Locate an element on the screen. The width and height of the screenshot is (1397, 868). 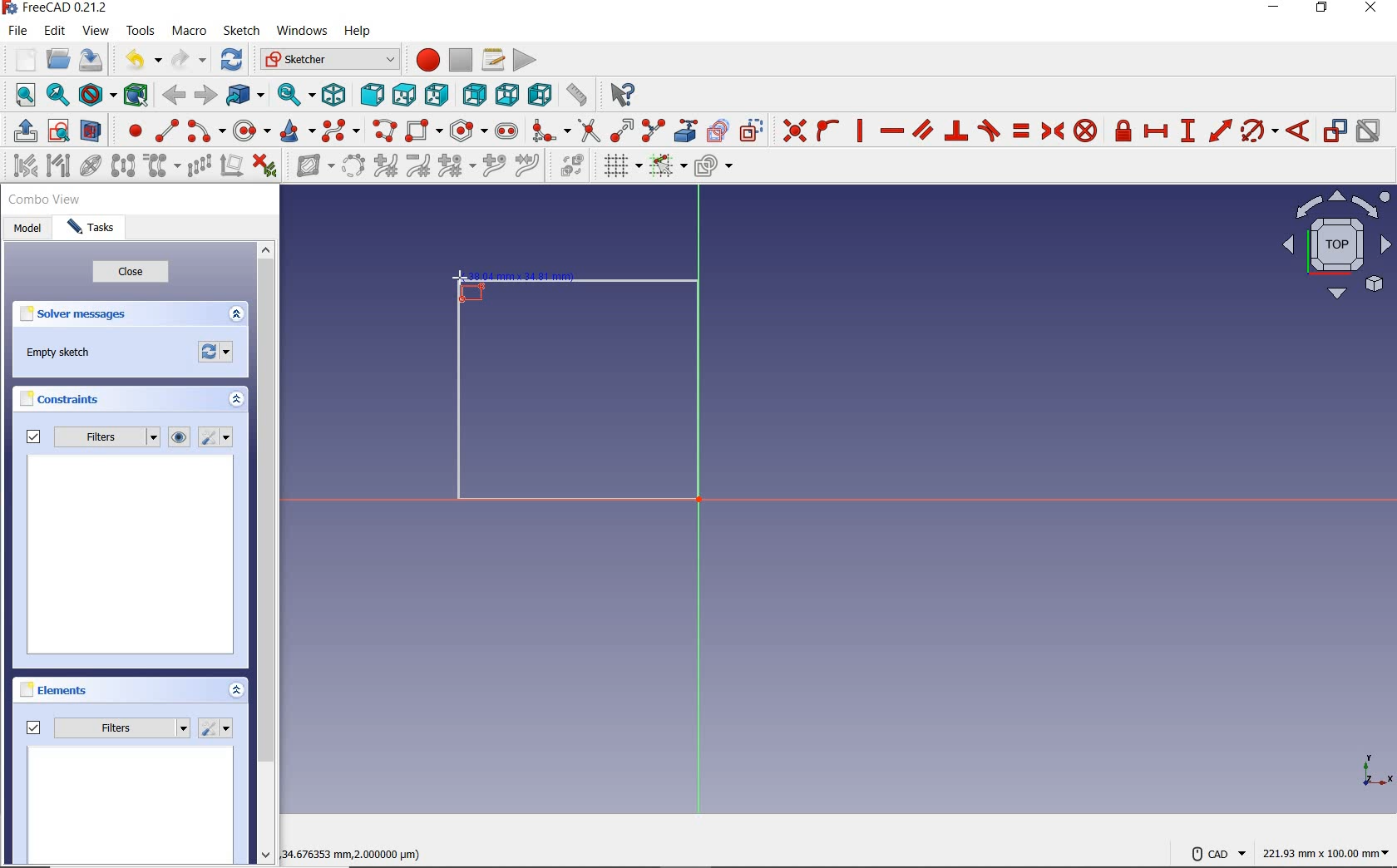
macro recording is located at coordinates (426, 60).